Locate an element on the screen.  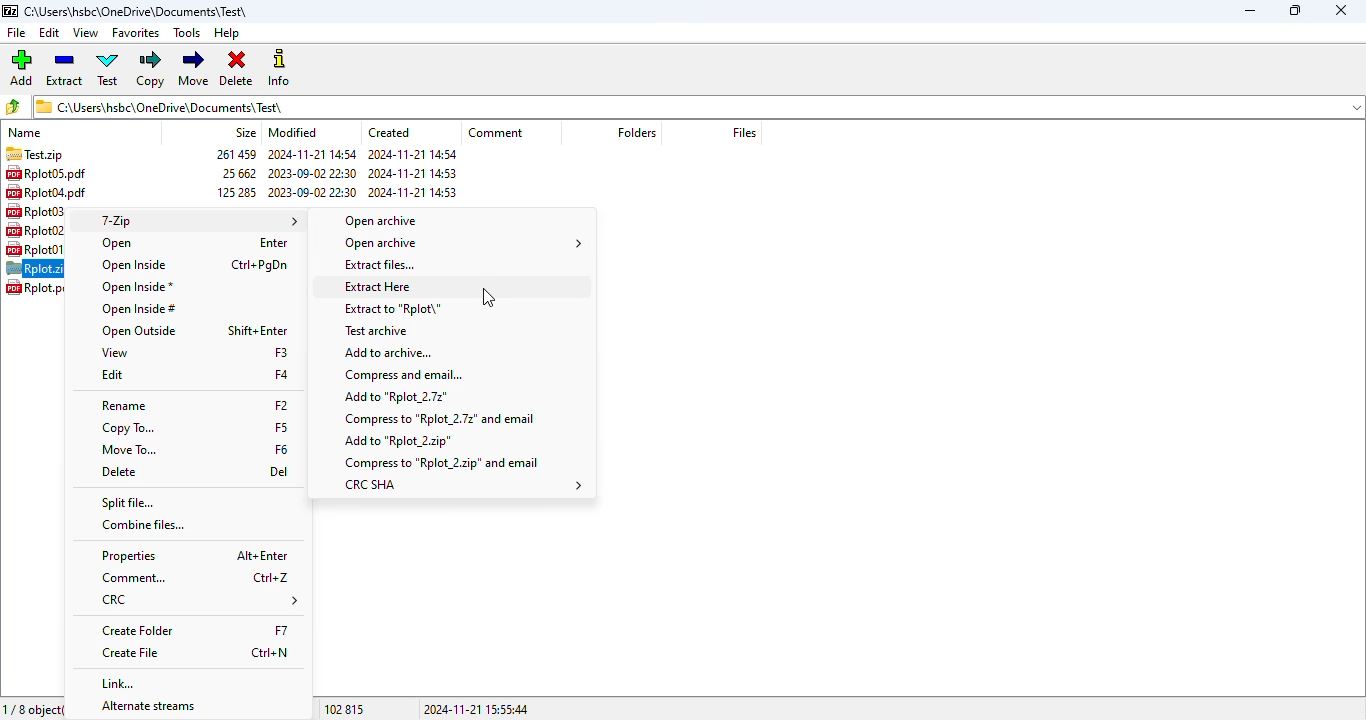
delete is located at coordinates (120, 472).